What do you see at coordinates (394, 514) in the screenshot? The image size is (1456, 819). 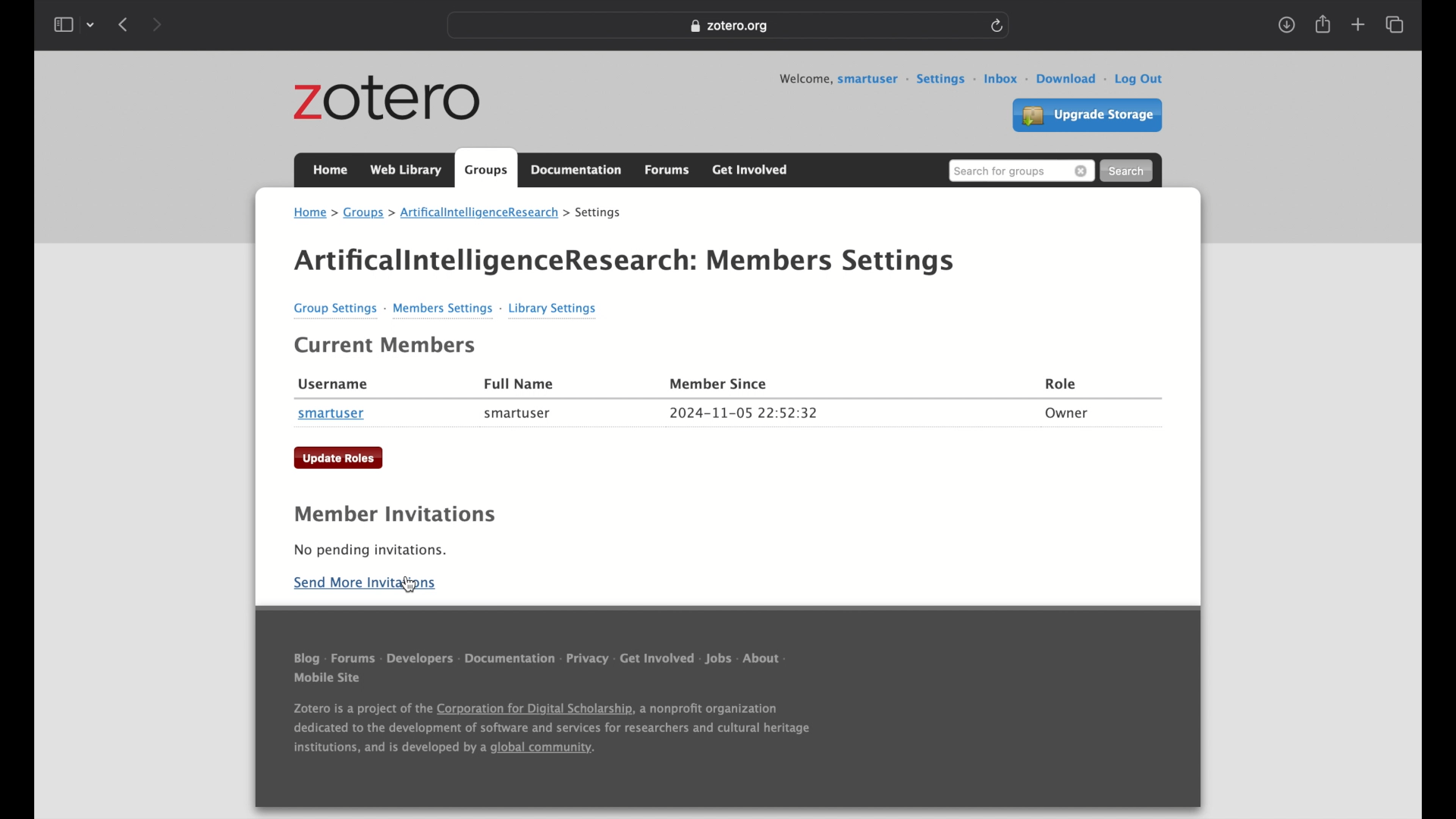 I see `member invitations` at bounding box center [394, 514].